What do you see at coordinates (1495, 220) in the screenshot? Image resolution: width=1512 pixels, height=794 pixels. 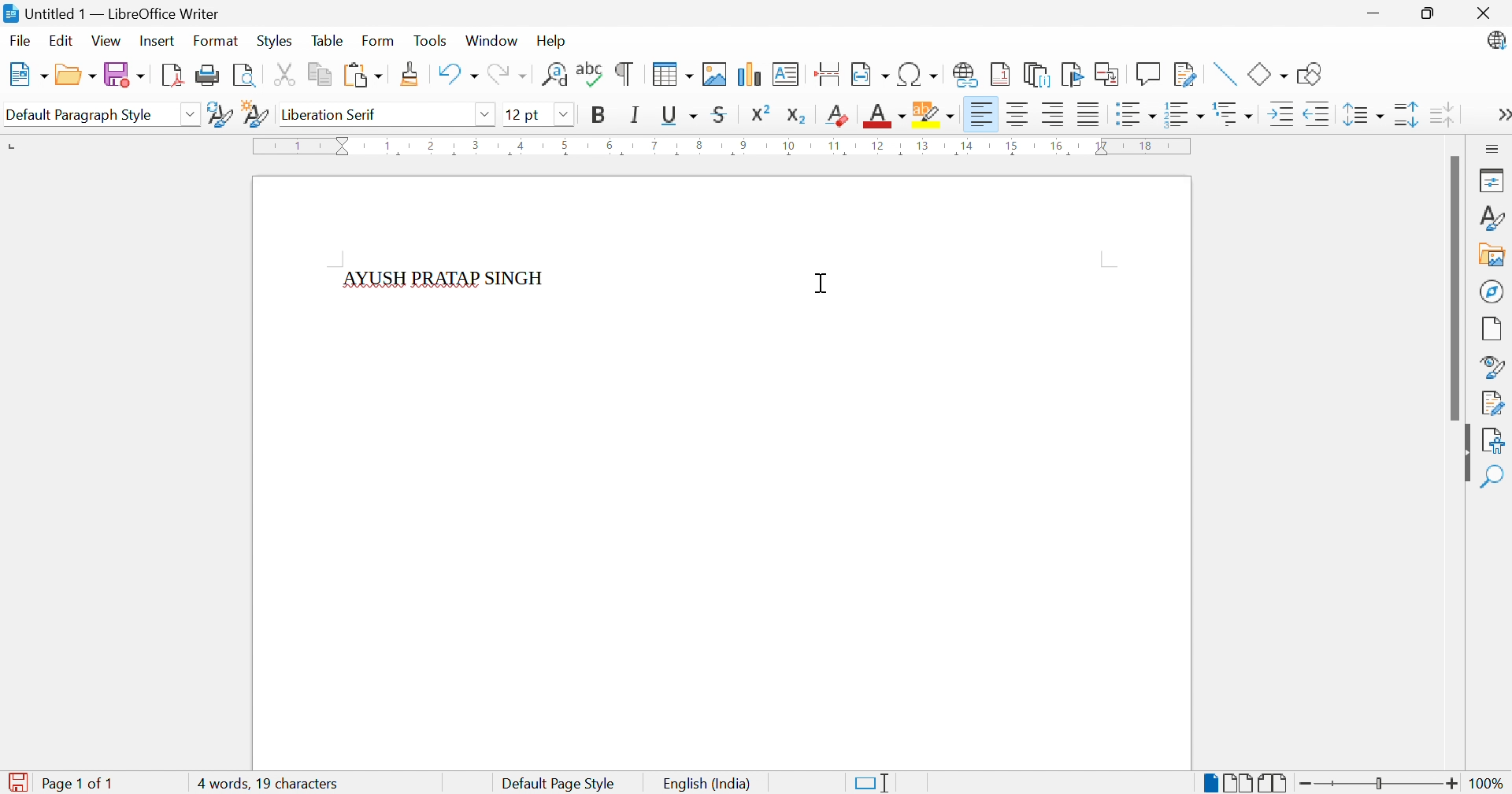 I see `Styles` at bounding box center [1495, 220].